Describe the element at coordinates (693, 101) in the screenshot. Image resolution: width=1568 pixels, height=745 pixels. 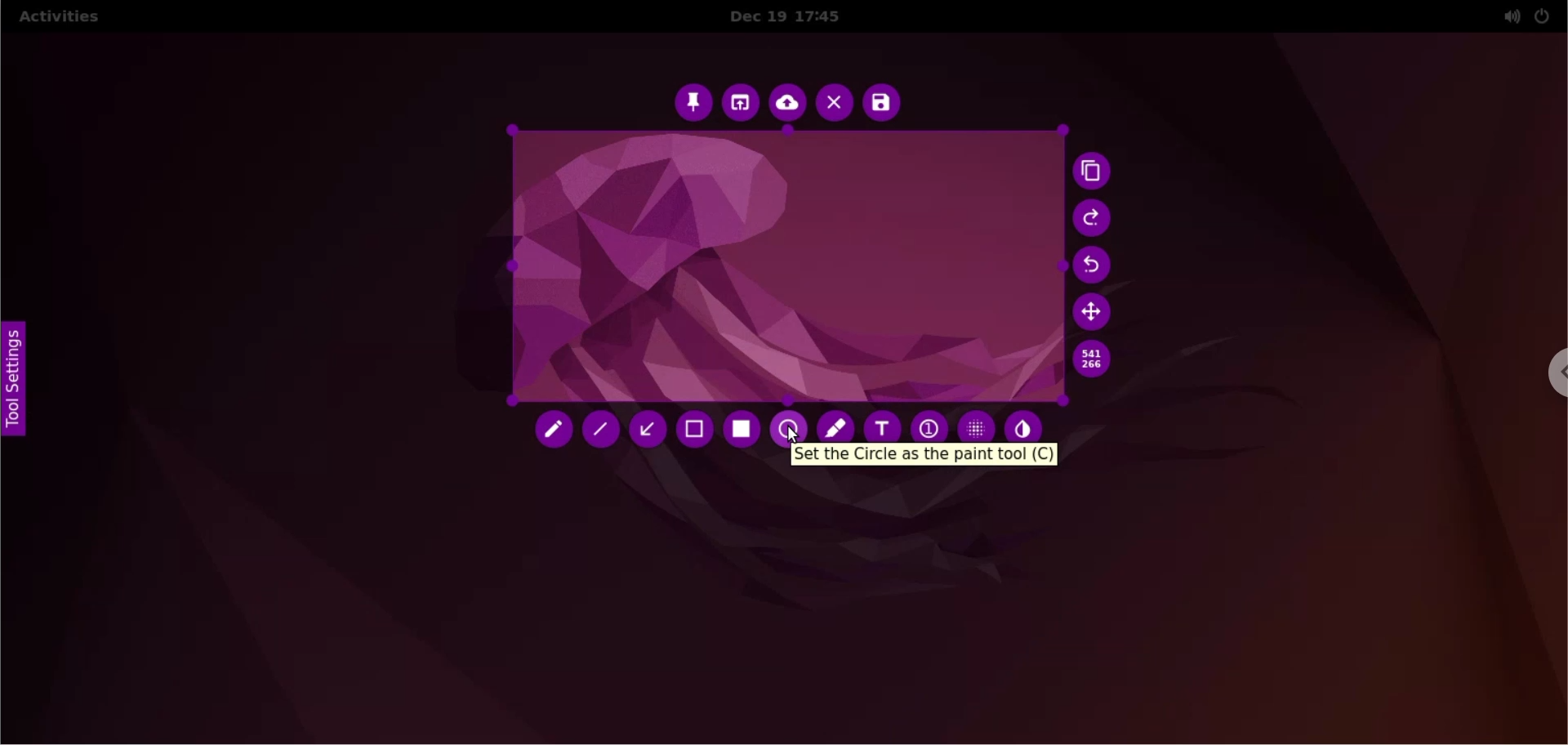
I see `pin` at that location.